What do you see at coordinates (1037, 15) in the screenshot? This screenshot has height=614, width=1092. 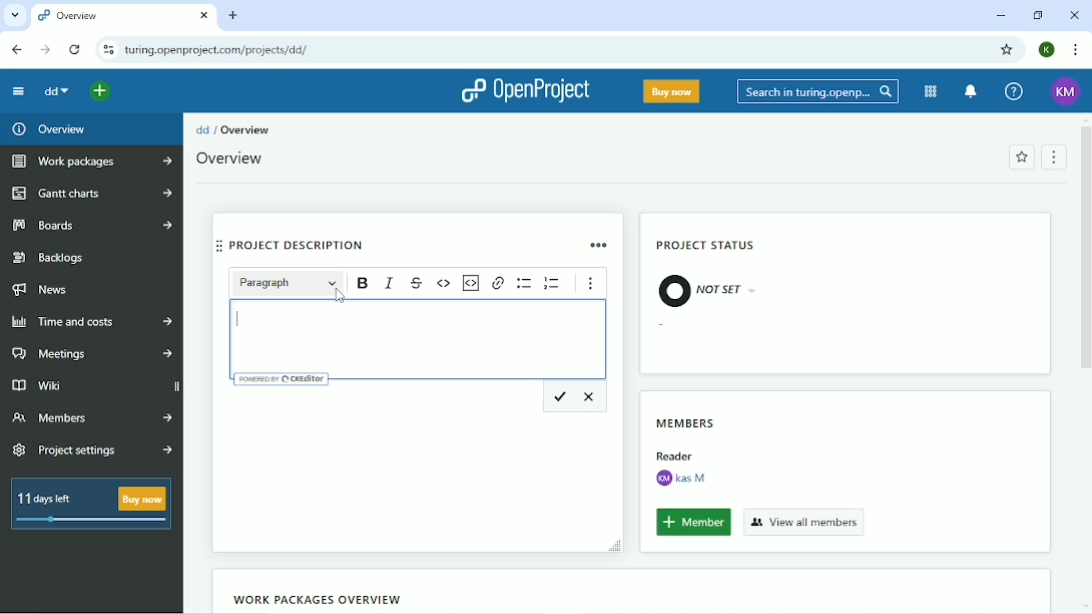 I see `Restore down` at bounding box center [1037, 15].